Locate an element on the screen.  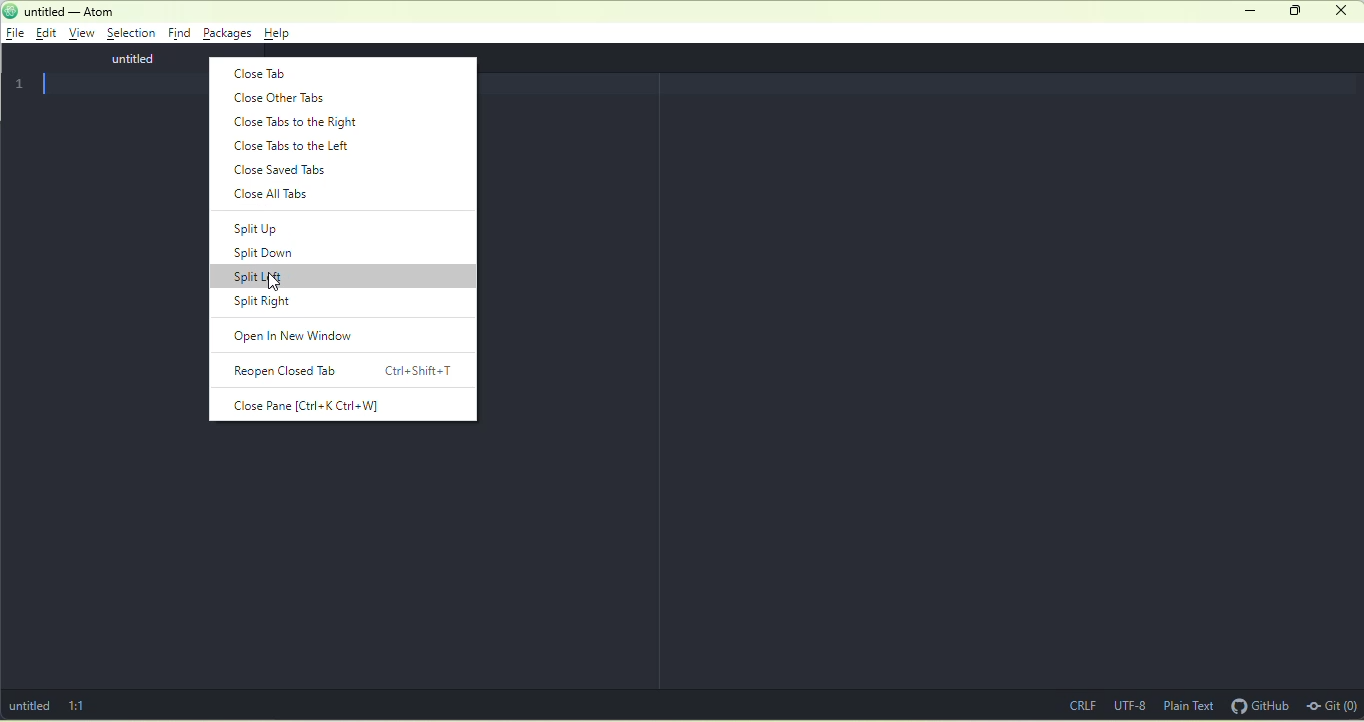
view is located at coordinates (84, 35).